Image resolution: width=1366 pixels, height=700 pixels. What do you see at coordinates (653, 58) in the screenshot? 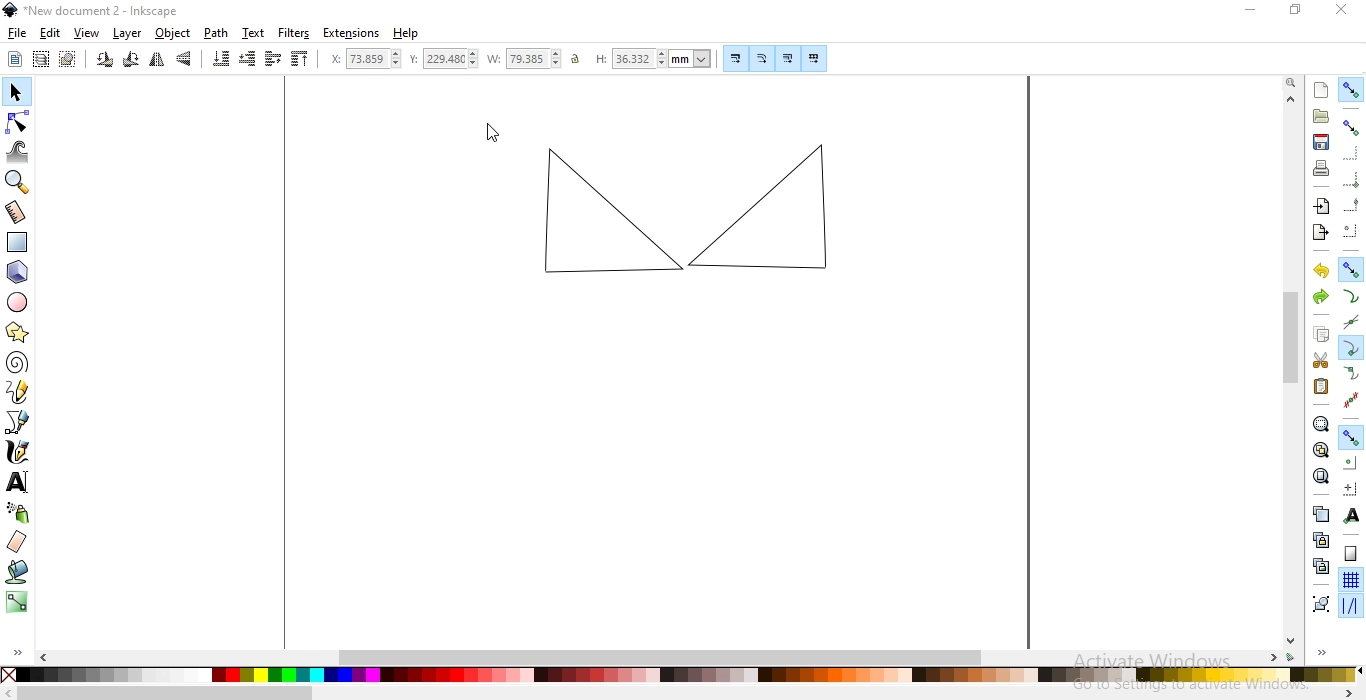
I see `height of selection` at bounding box center [653, 58].